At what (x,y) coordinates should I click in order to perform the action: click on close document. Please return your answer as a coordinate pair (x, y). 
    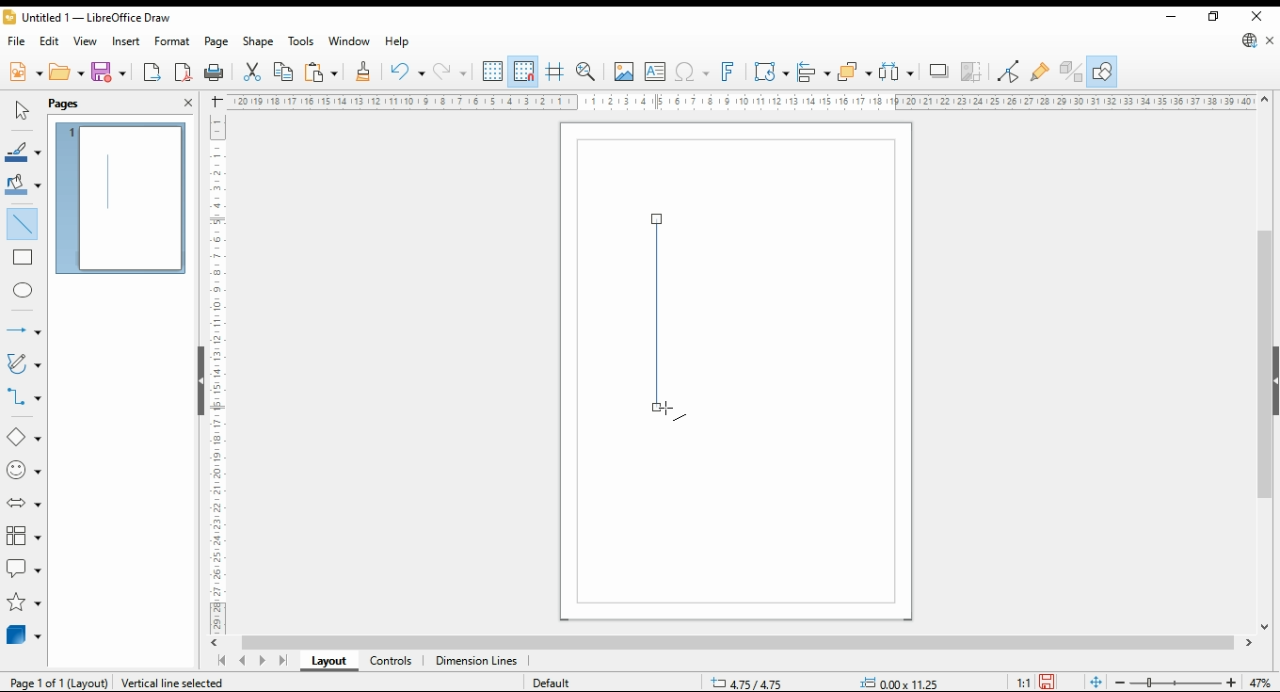
    Looking at the image, I should click on (1271, 42).